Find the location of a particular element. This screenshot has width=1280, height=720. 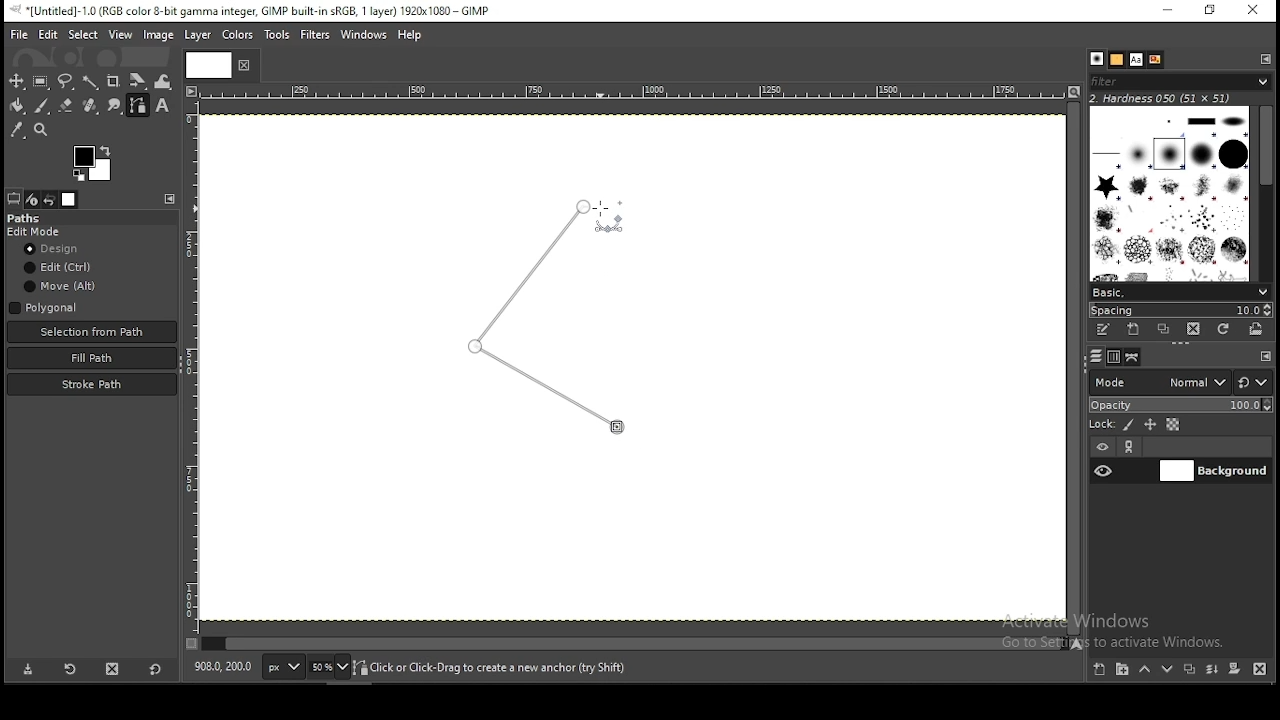

stroke path is located at coordinates (92, 384).